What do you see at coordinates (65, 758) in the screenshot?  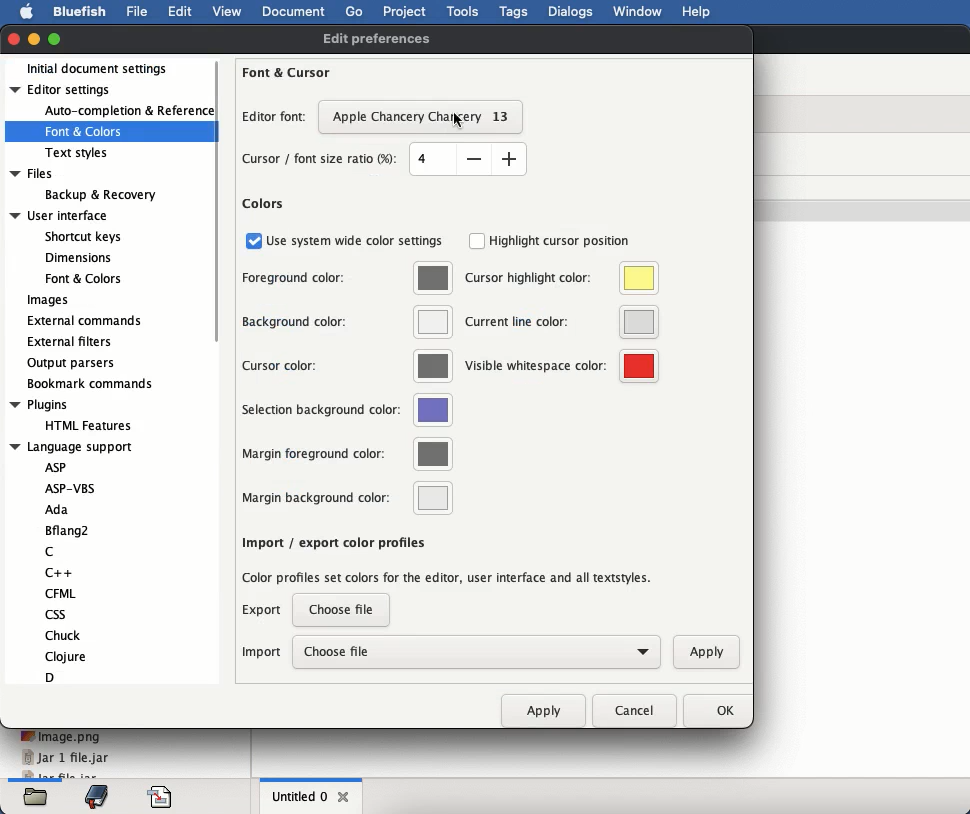 I see `jar 1 file` at bounding box center [65, 758].